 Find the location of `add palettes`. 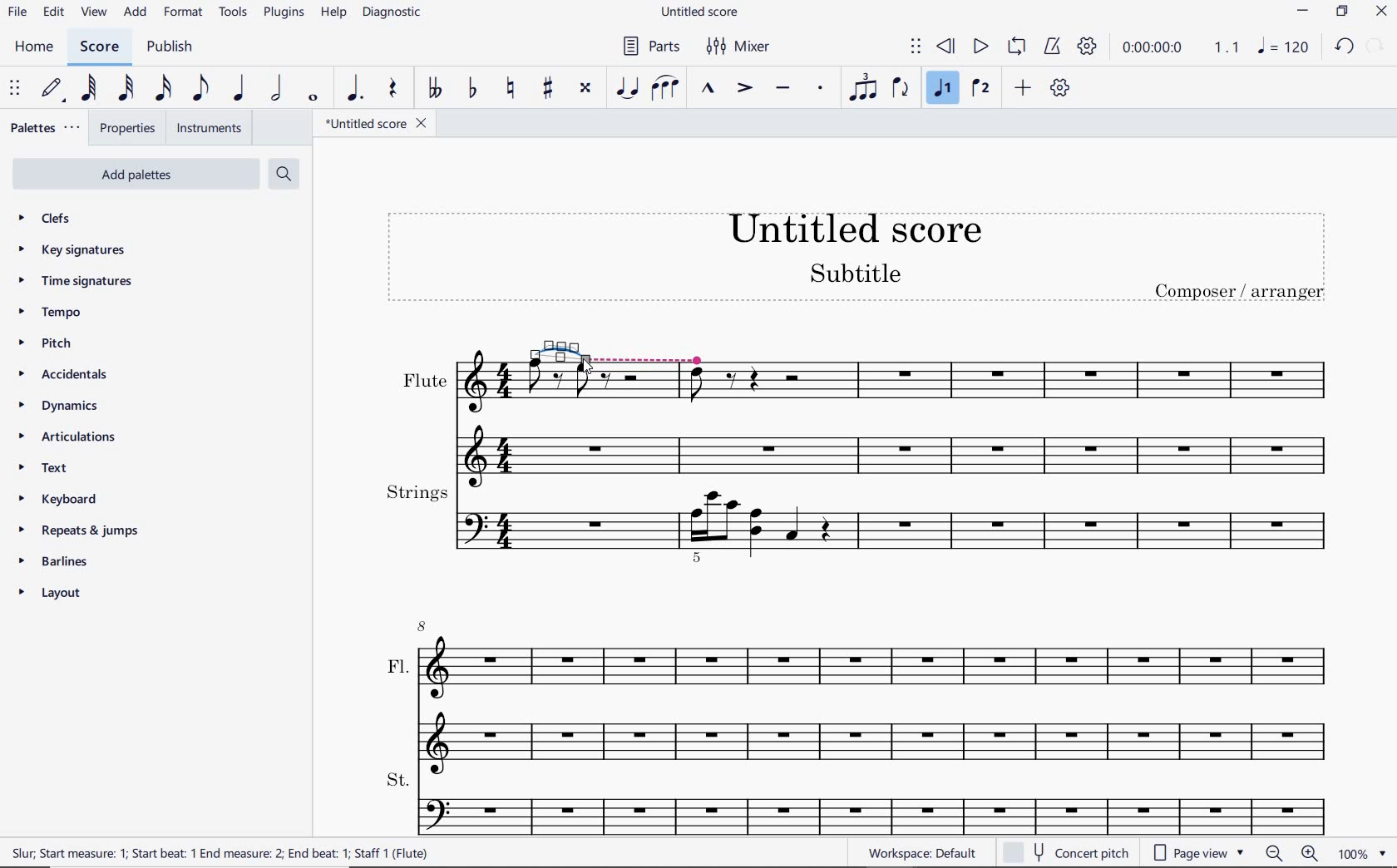

add palettes is located at coordinates (137, 173).